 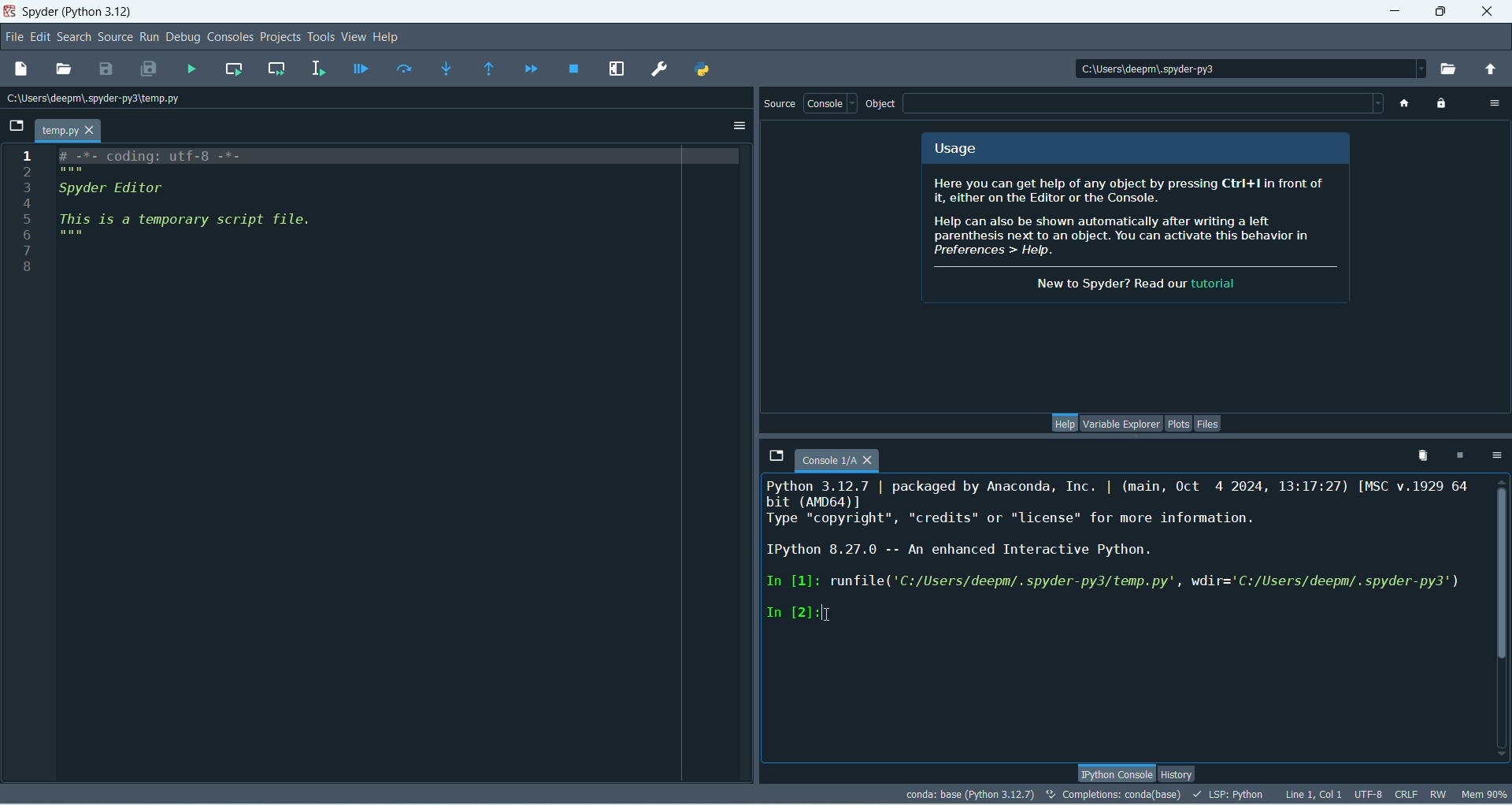 I want to click on cursor, so click(x=824, y=614).